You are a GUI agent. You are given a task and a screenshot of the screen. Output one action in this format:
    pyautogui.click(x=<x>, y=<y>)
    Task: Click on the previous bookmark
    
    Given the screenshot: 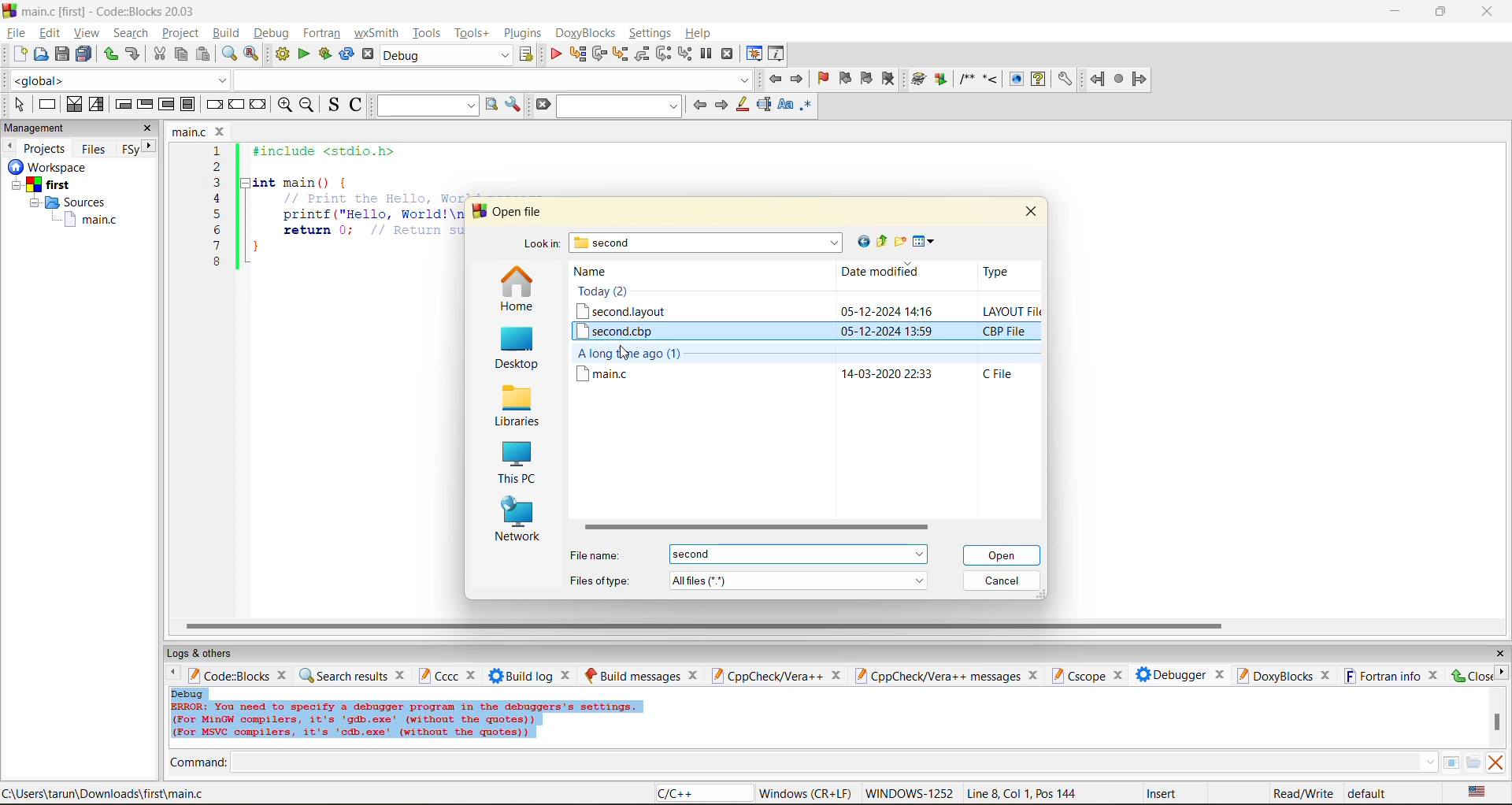 What is the action you would take?
    pyautogui.click(x=845, y=78)
    